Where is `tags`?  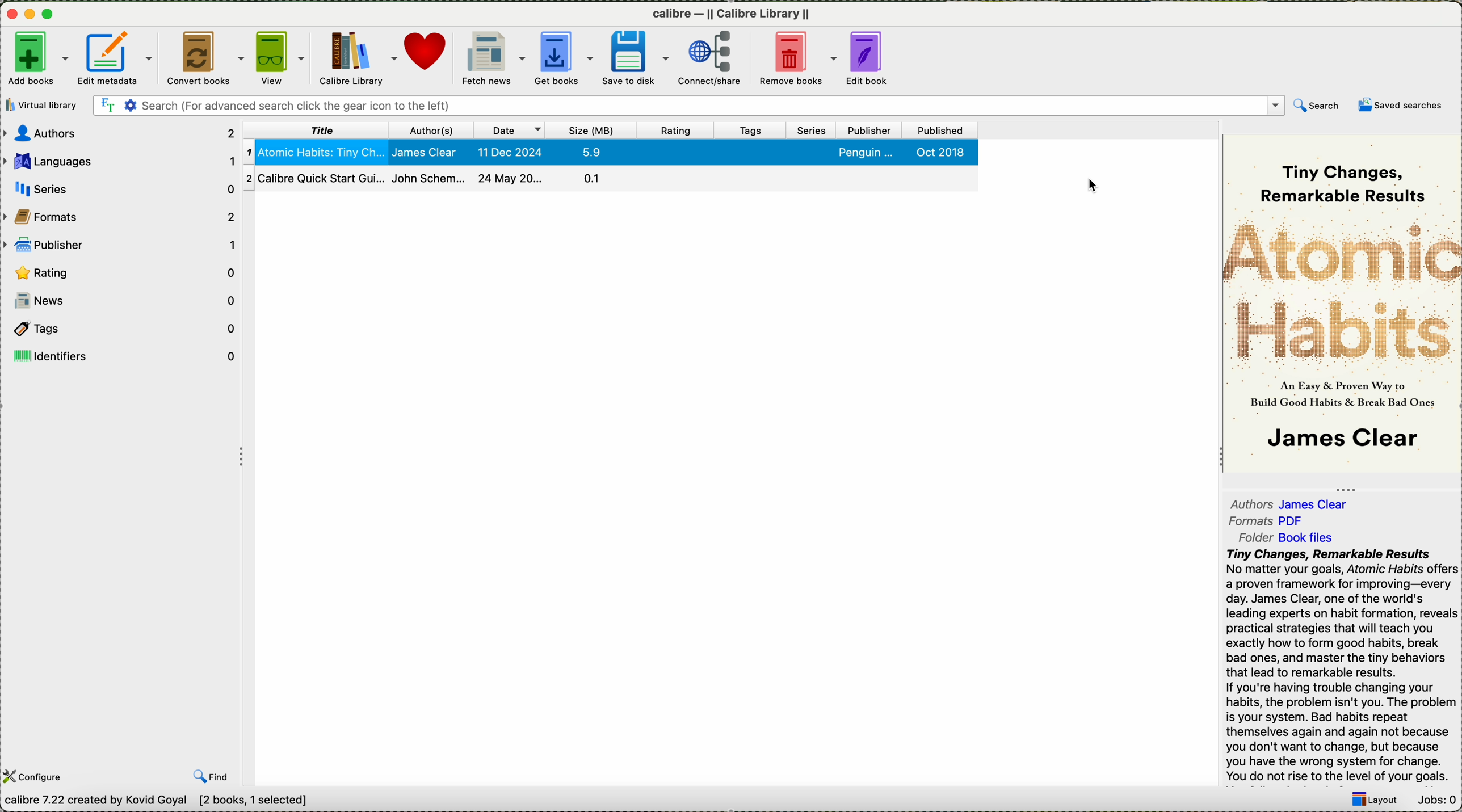
tags is located at coordinates (125, 329).